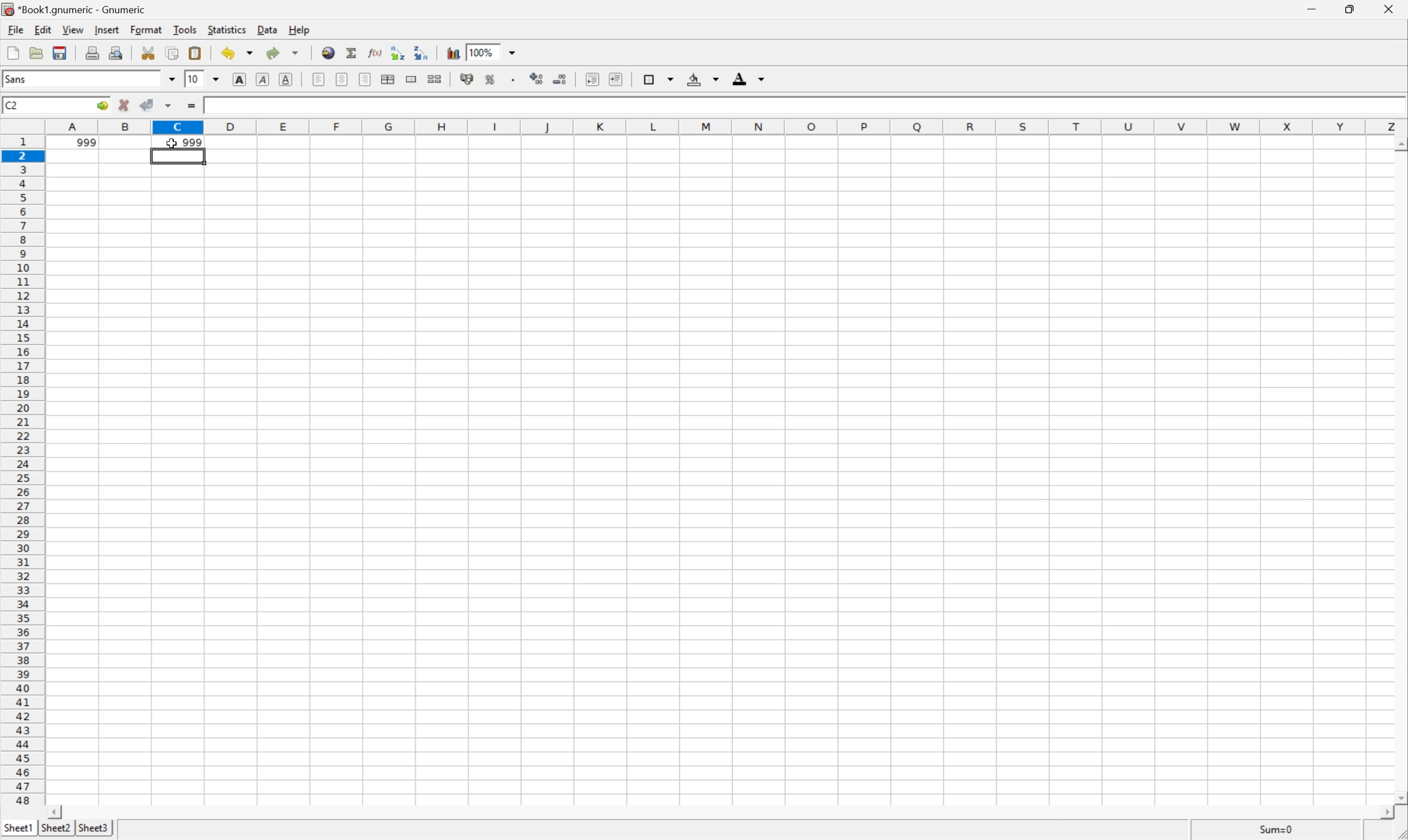  What do you see at coordinates (14, 31) in the screenshot?
I see `file` at bounding box center [14, 31].